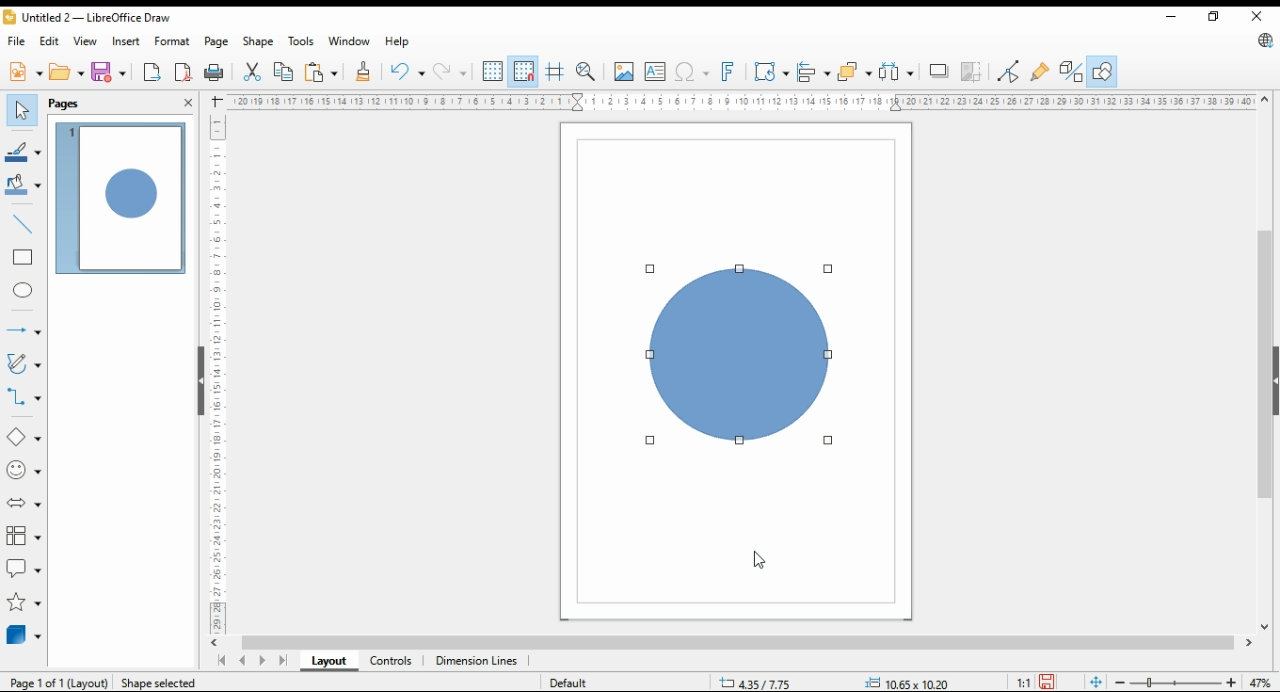  Describe the element at coordinates (1047, 682) in the screenshot. I see `save` at that location.